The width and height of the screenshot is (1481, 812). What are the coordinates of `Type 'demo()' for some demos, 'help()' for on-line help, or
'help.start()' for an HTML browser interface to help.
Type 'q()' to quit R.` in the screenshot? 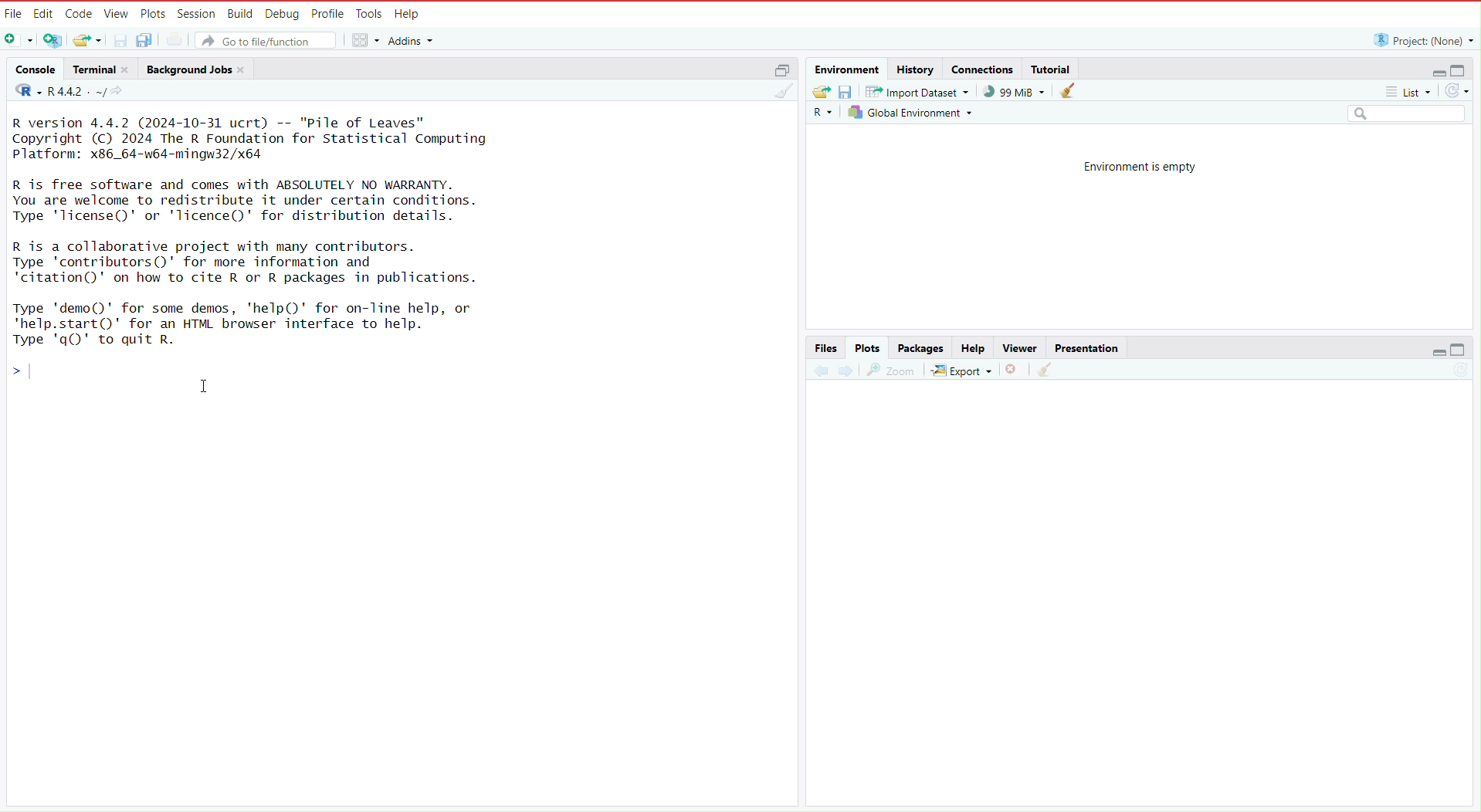 It's located at (256, 323).